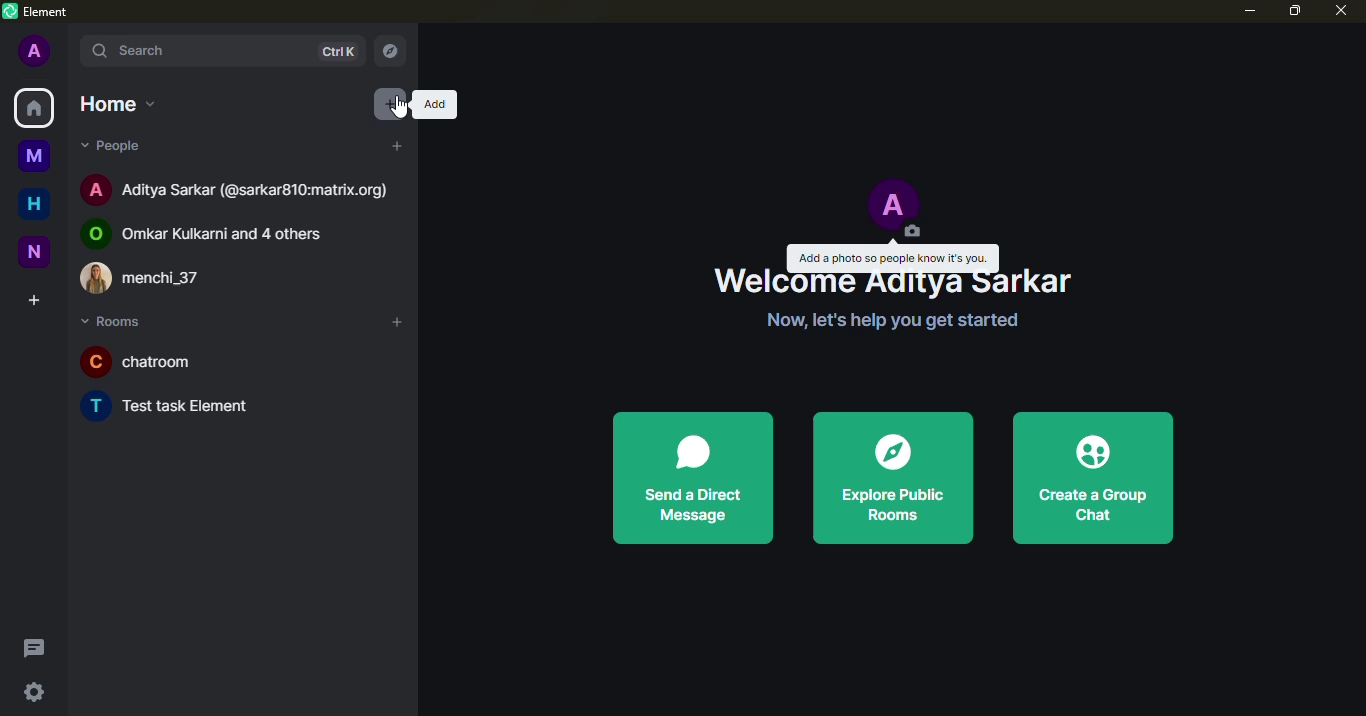  What do you see at coordinates (435, 104) in the screenshot?
I see `add` at bounding box center [435, 104].